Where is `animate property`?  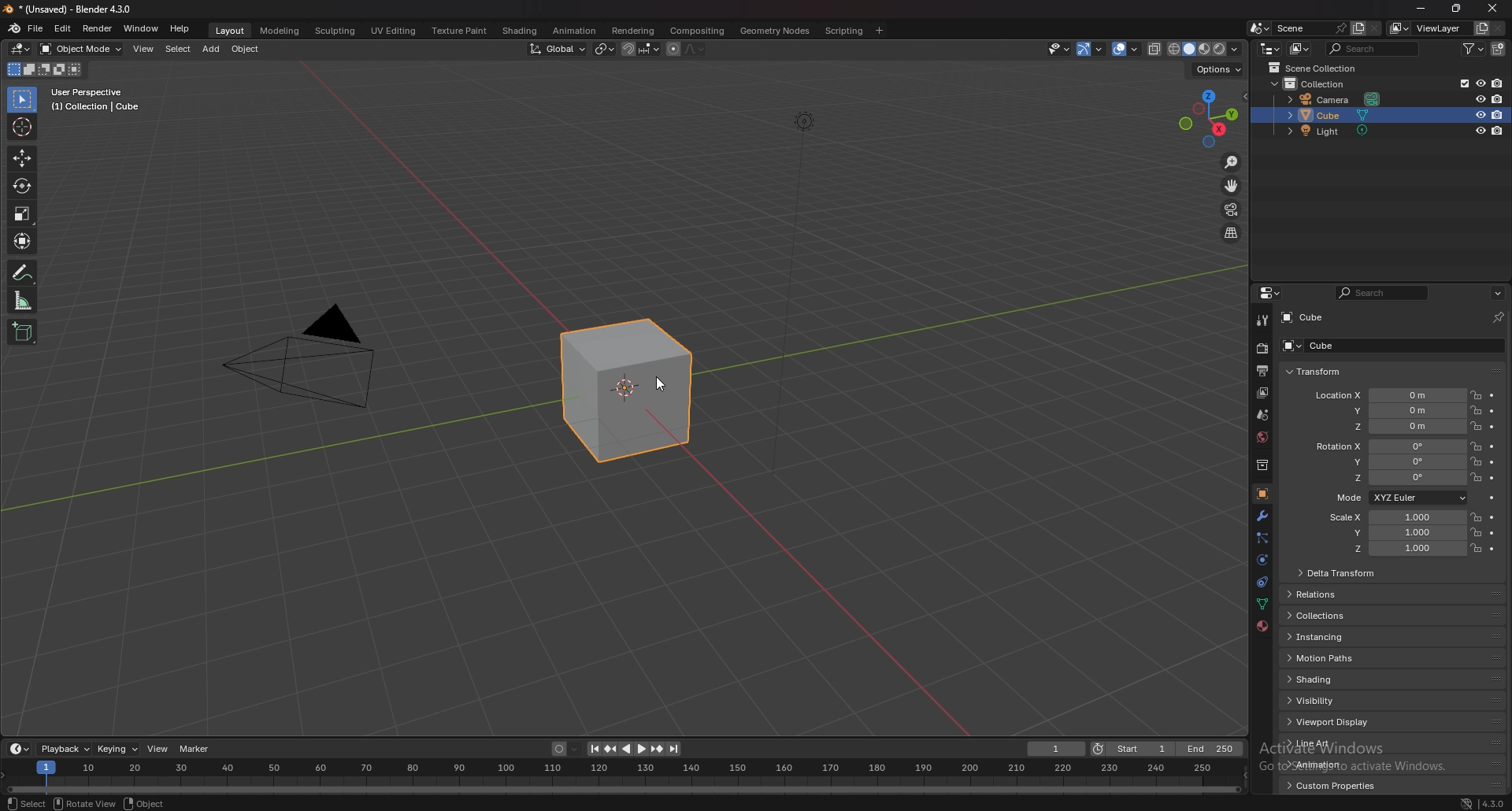
animate property is located at coordinates (1492, 411).